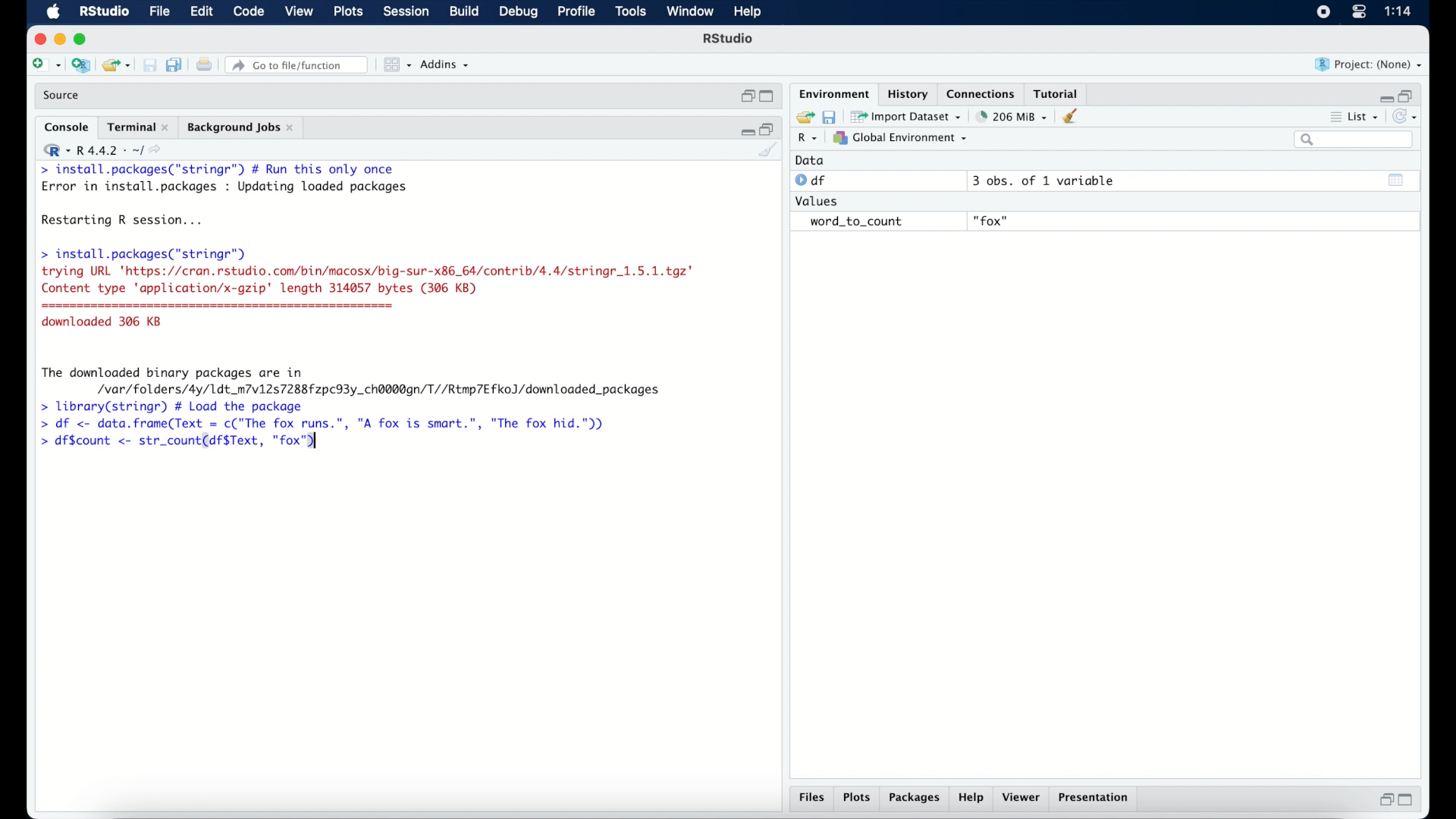 Image resolution: width=1456 pixels, height=819 pixels. Describe the element at coordinates (45, 66) in the screenshot. I see `create new file` at that location.